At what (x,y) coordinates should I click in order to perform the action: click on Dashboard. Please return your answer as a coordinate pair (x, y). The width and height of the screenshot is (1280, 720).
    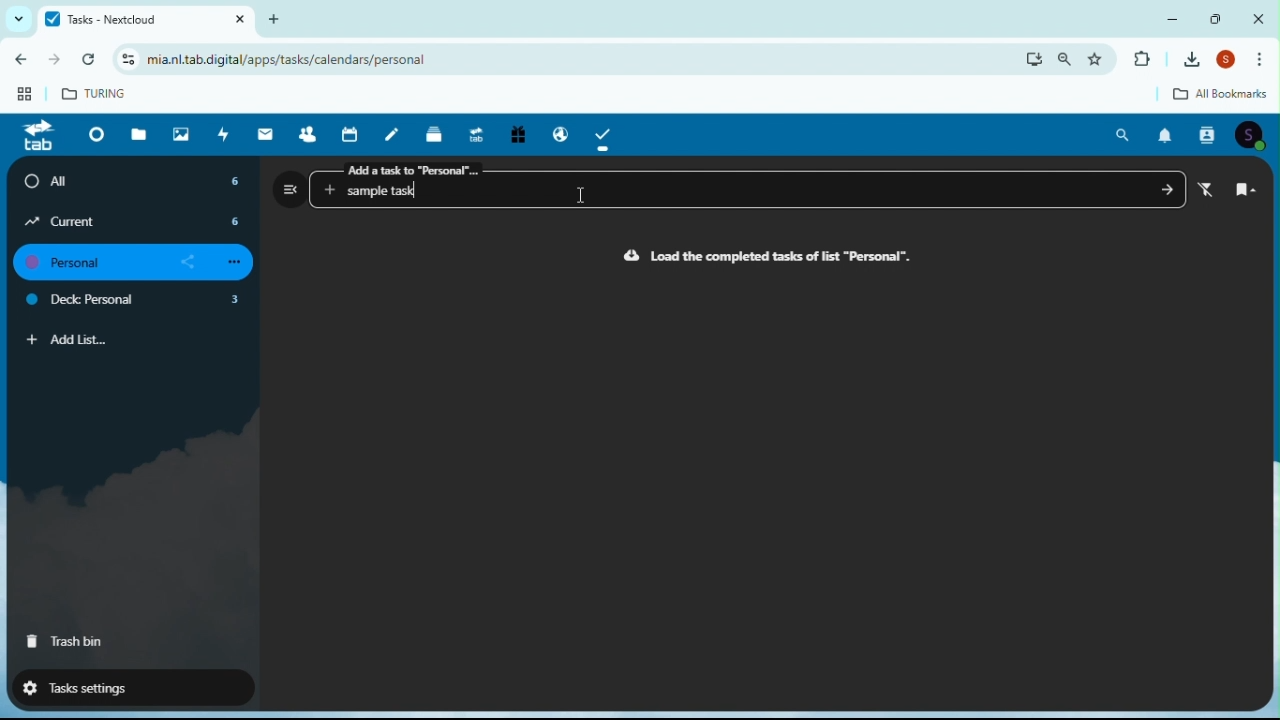
    Looking at the image, I should click on (93, 134).